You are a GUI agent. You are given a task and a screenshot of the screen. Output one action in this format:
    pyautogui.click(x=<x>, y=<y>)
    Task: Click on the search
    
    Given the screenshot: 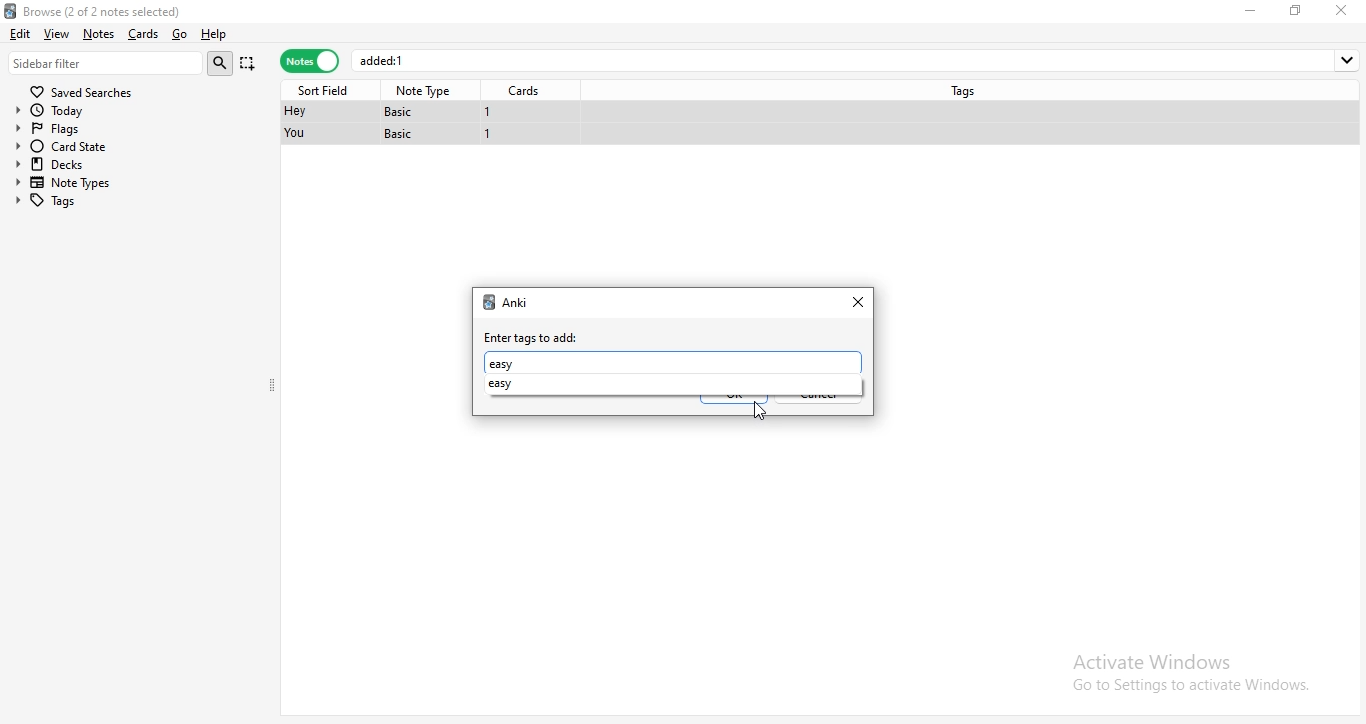 What is the action you would take?
    pyautogui.click(x=223, y=63)
    